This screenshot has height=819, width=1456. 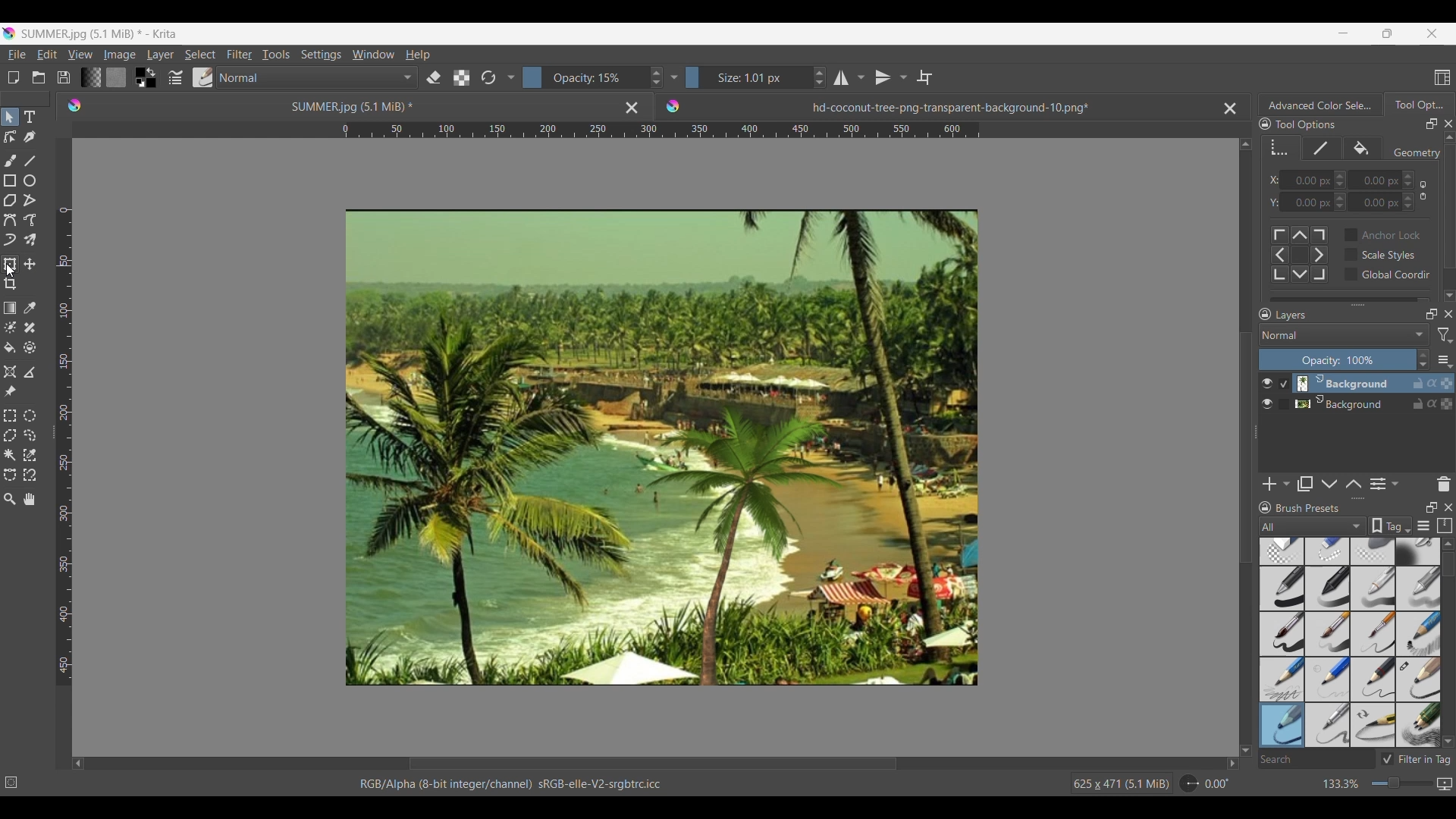 I want to click on SUMMERjpg(5.1 MiB)* - Lrita, so click(x=101, y=33).